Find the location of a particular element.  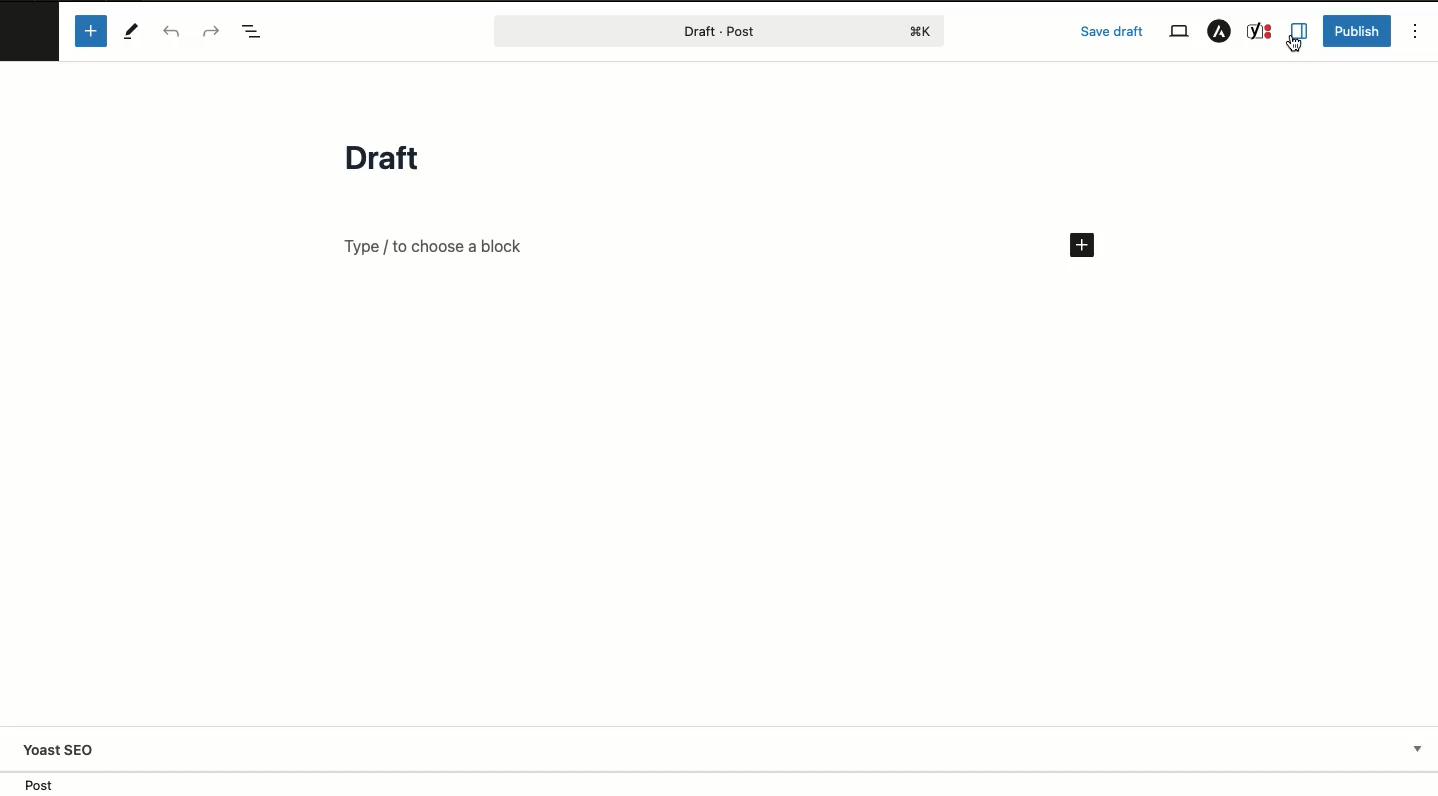

Add new block is located at coordinates (88, 31).